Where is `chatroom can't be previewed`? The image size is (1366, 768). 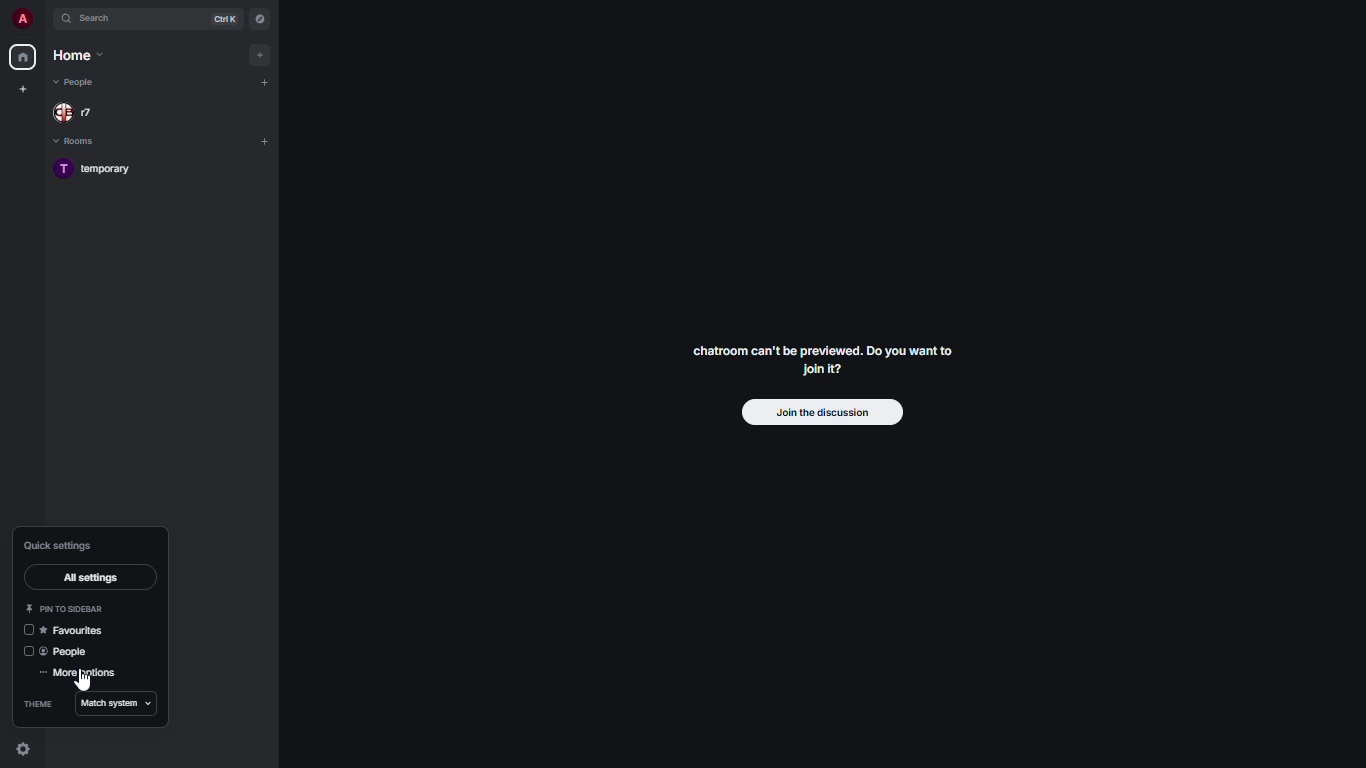 chatroom can't be previewed is located at coordinates (821, 358).